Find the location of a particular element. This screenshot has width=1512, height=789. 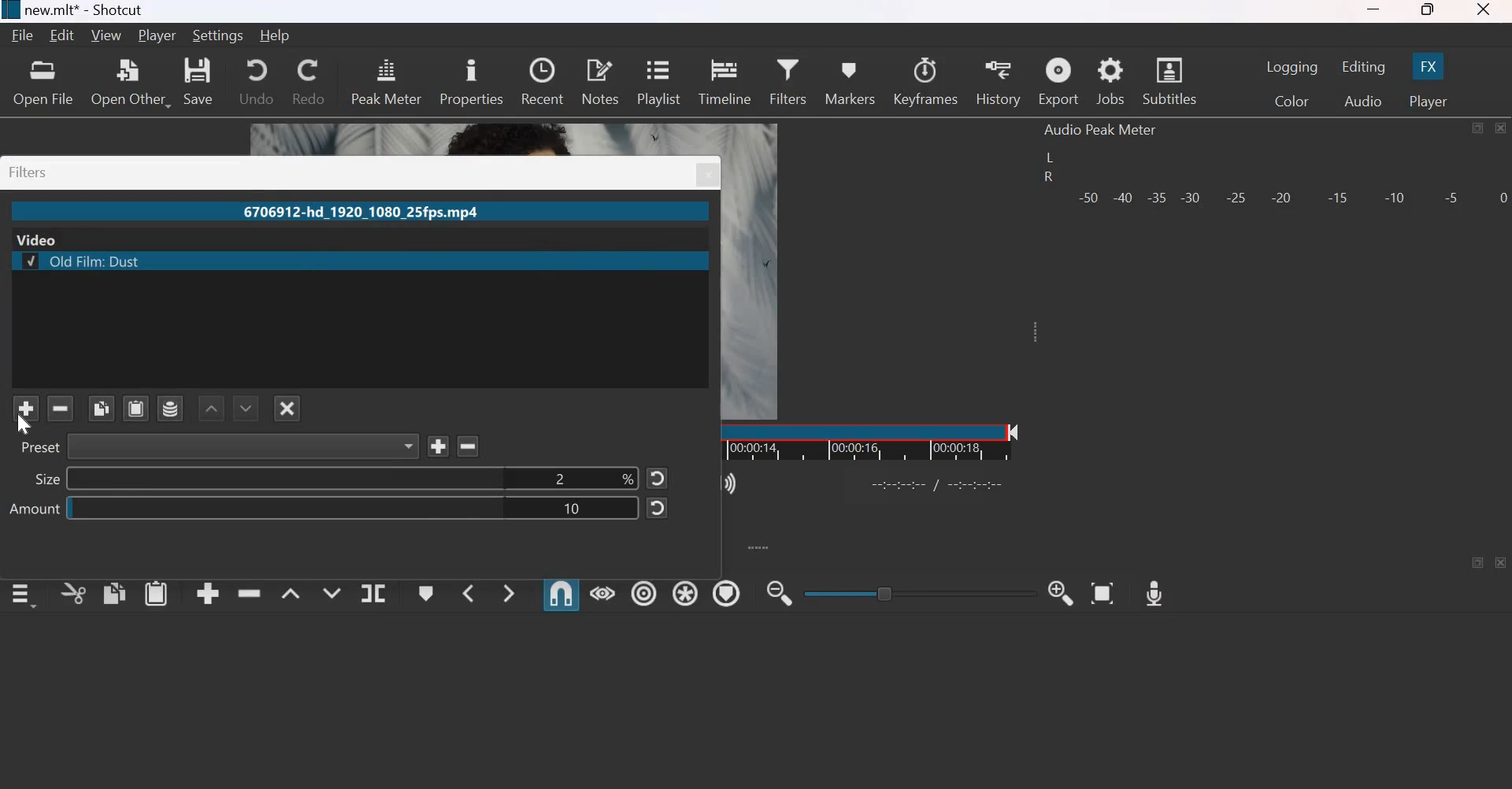

dropdown is located at coordinates (408, 446).